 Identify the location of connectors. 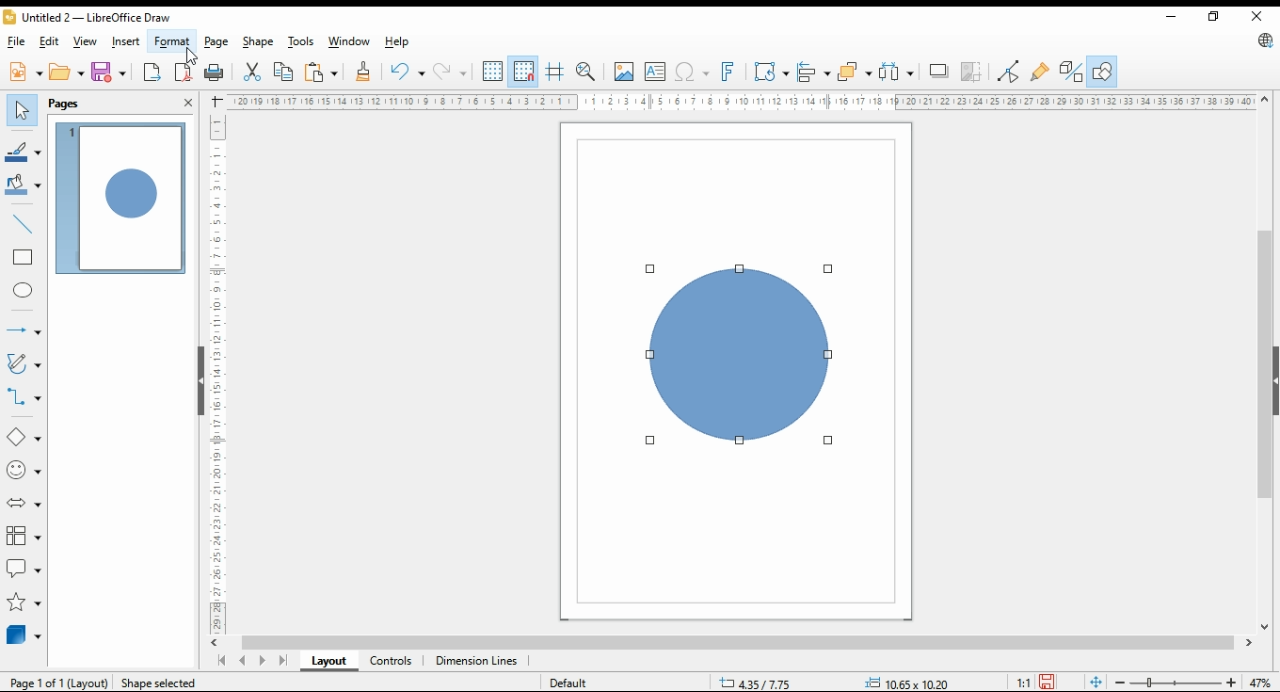
(25, 398).